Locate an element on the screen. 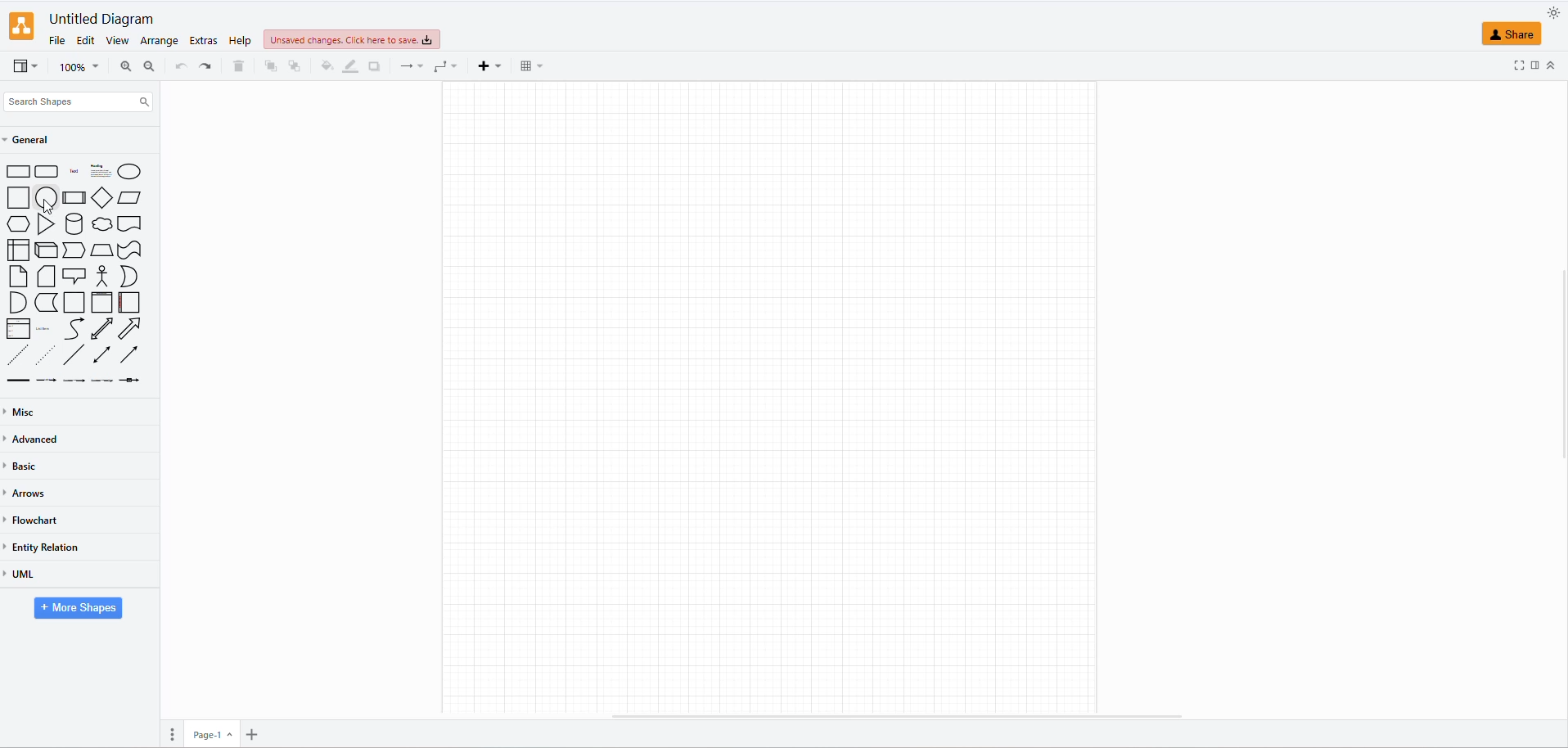 The width and height of the screenshot is (1568, 748). INTERNAL STORAGE is located at coordinates (19, 252).